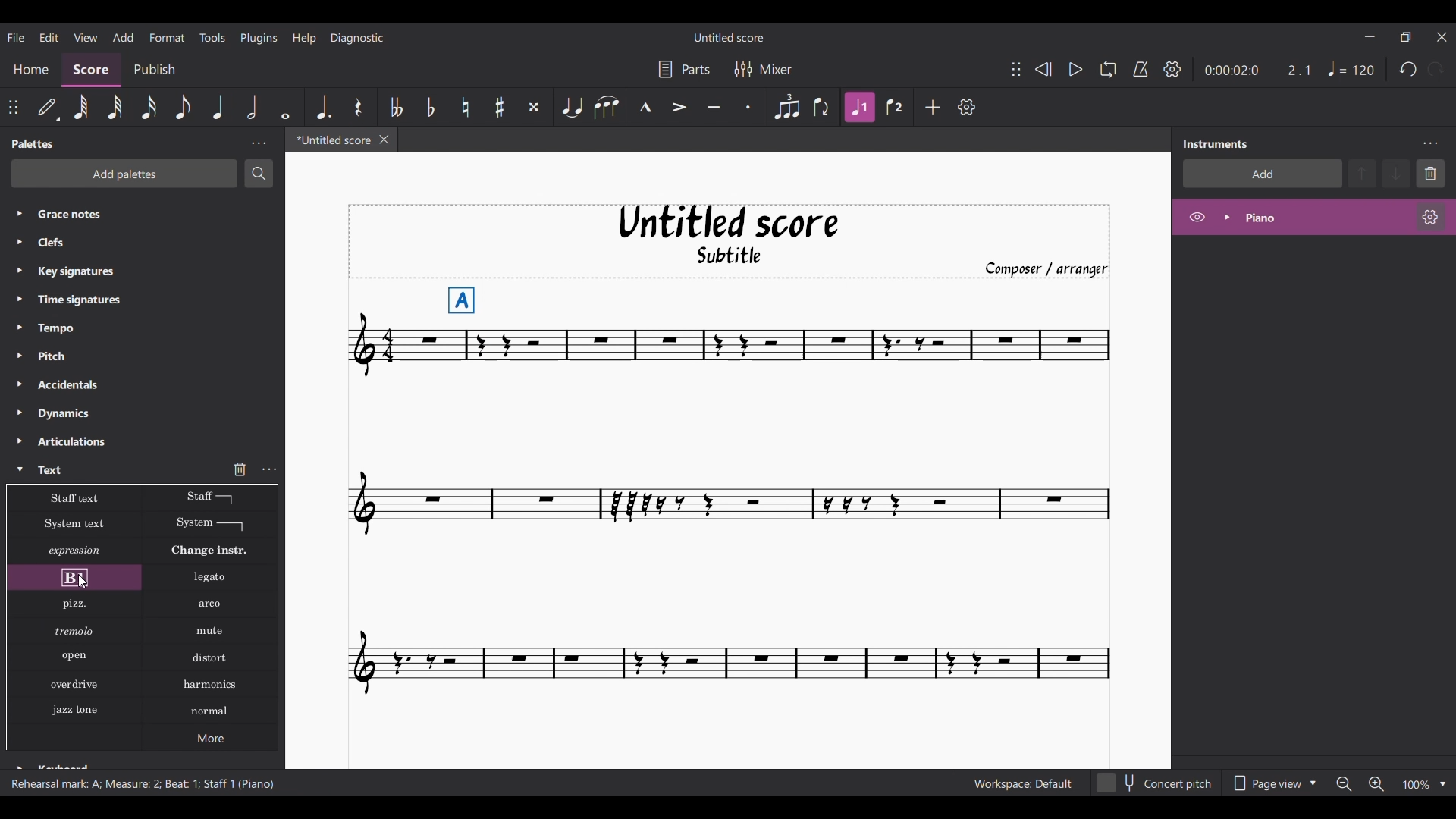  What do you see at coordinates (13, 107) in the screenshot?
I see `Change position of toolbar attached` at bounding box center [13, 107].